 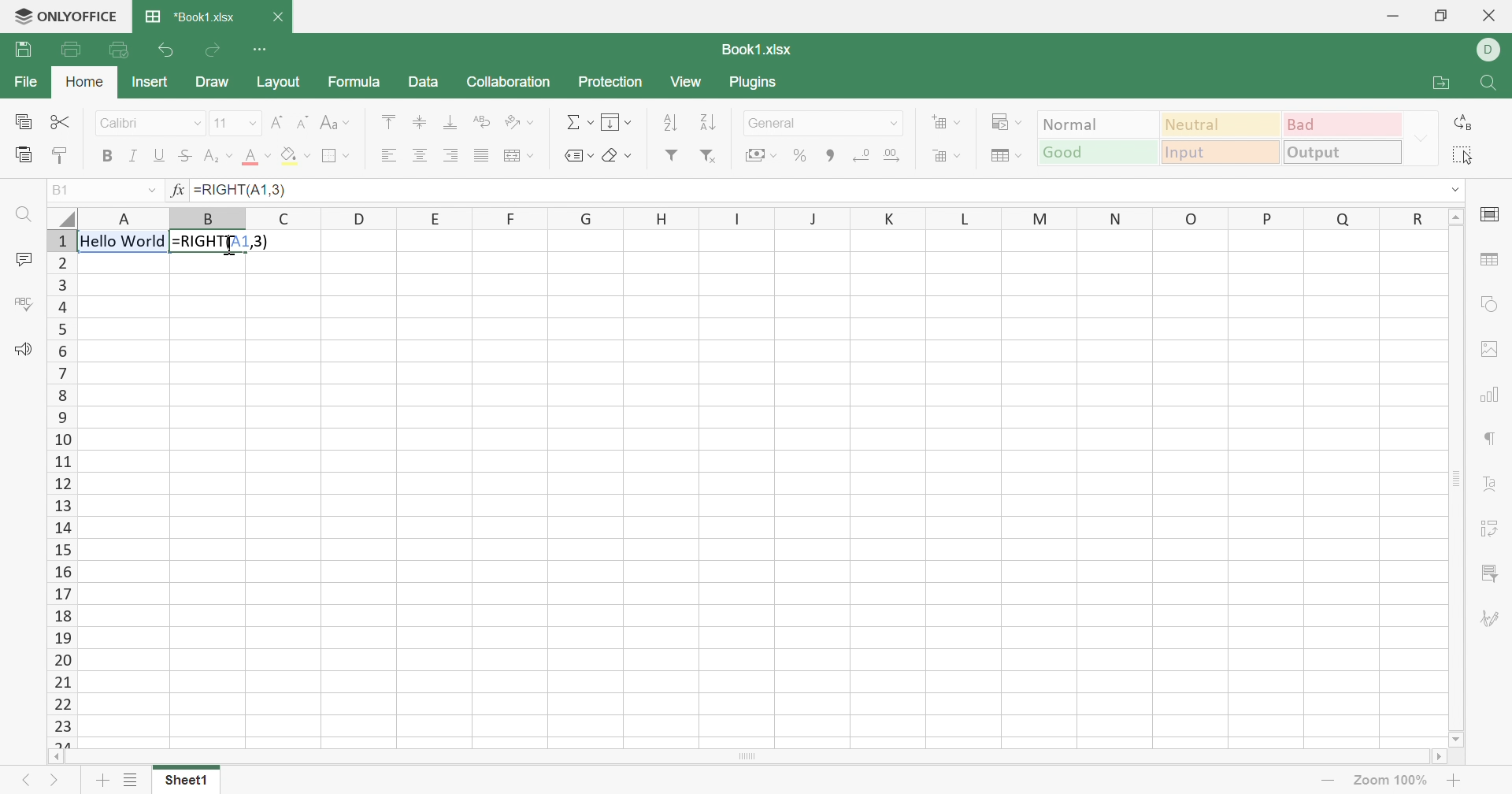 I want to click on Input, so click(x=1222, y=154).